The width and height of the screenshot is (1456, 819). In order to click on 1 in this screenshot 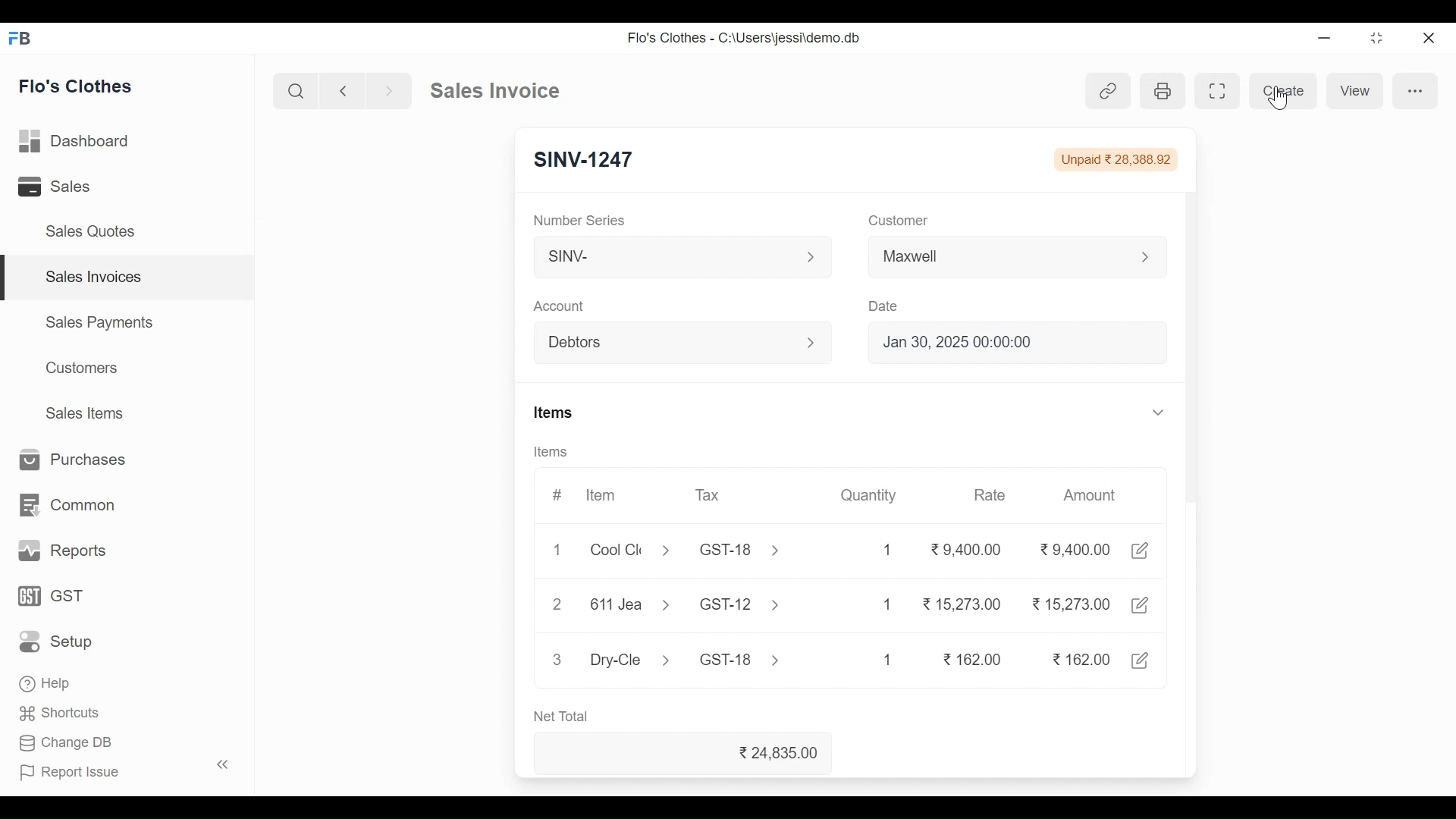, I will do `click(887, 659)`.